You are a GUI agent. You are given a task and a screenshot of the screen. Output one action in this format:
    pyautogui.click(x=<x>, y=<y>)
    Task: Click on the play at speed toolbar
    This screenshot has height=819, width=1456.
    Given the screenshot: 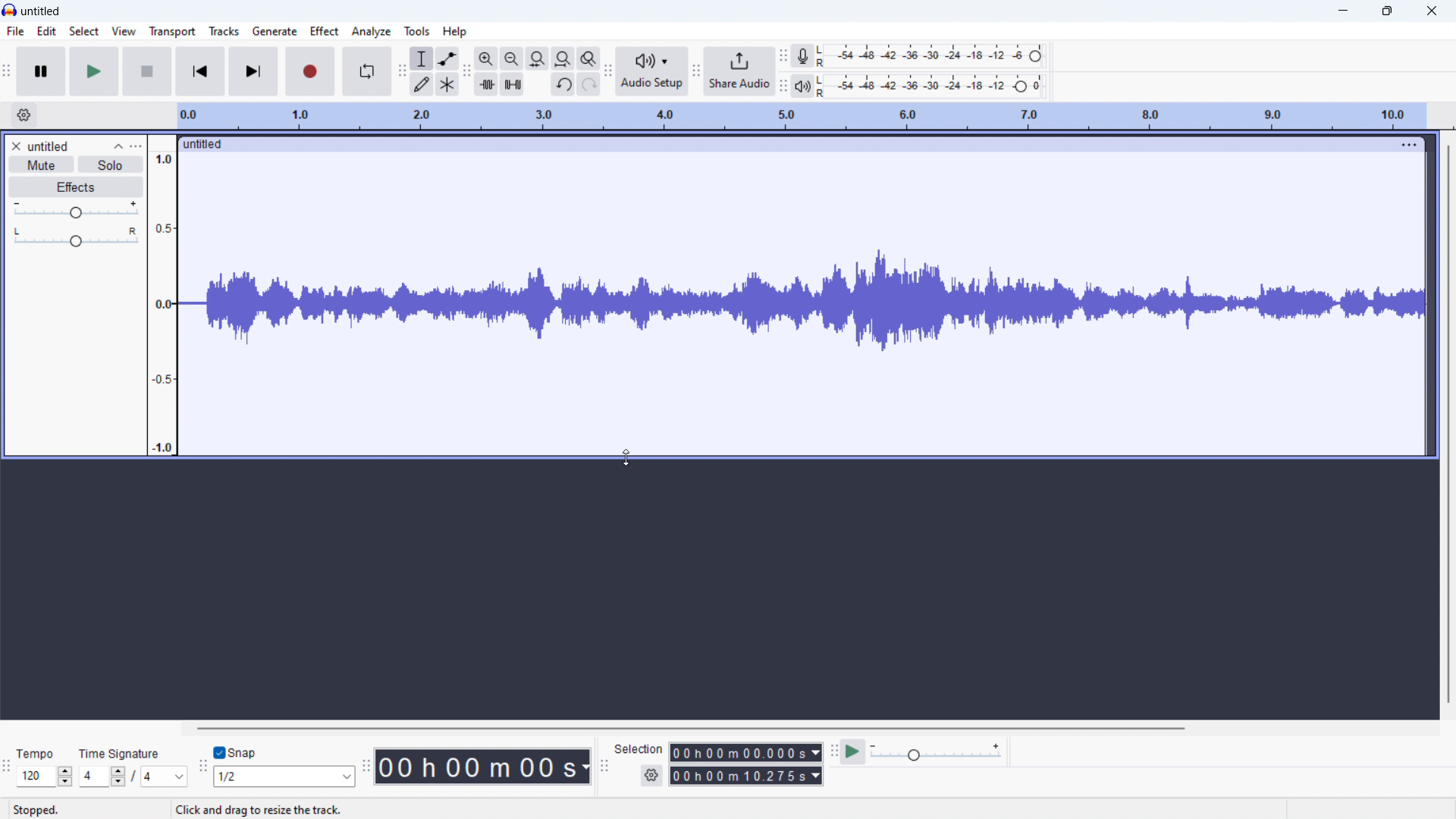 What is the action you would take?
    pyautogui.click(x=834, y=751)
    